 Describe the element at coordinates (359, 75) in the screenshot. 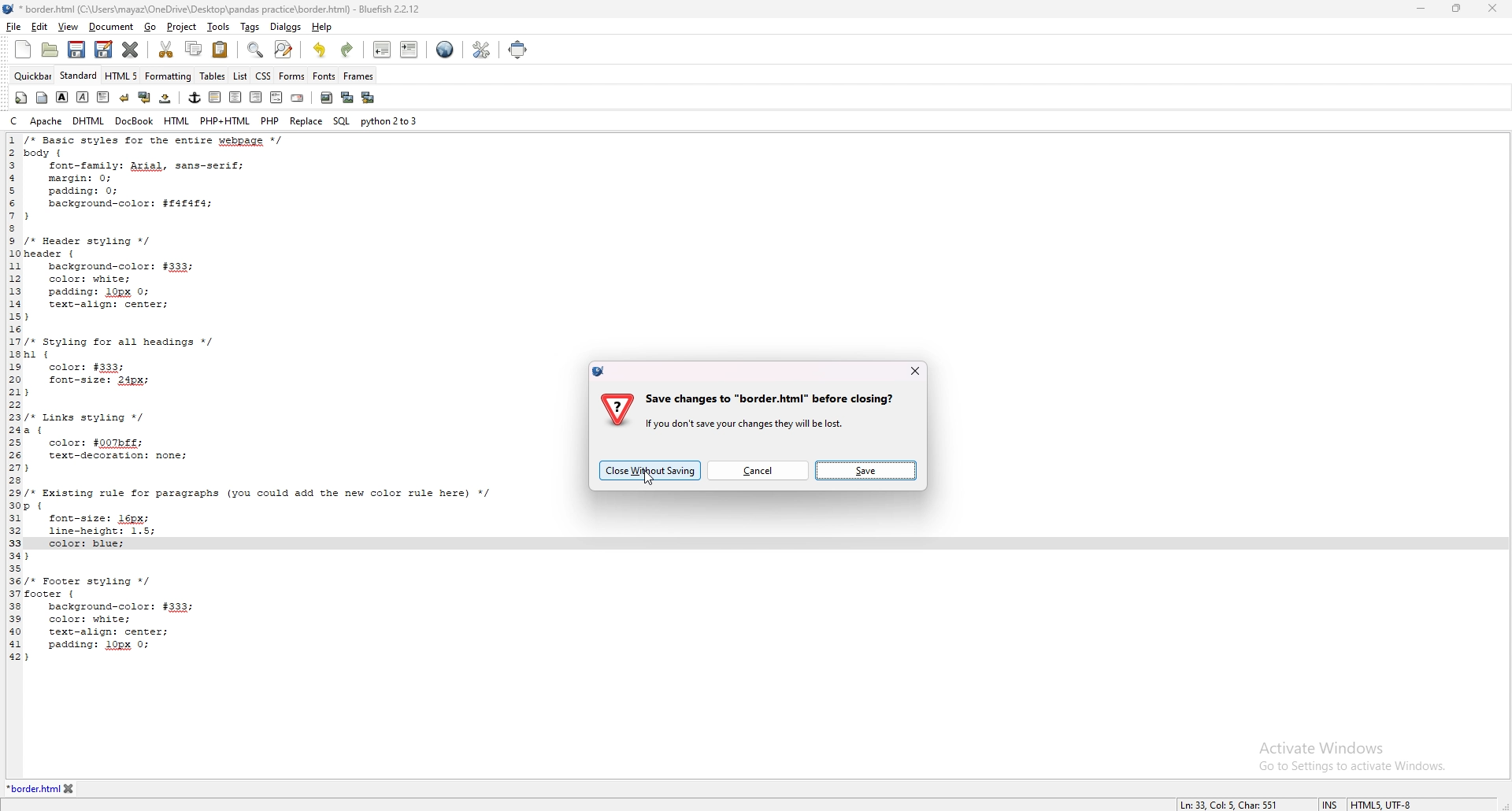

I see `frames` at that location.